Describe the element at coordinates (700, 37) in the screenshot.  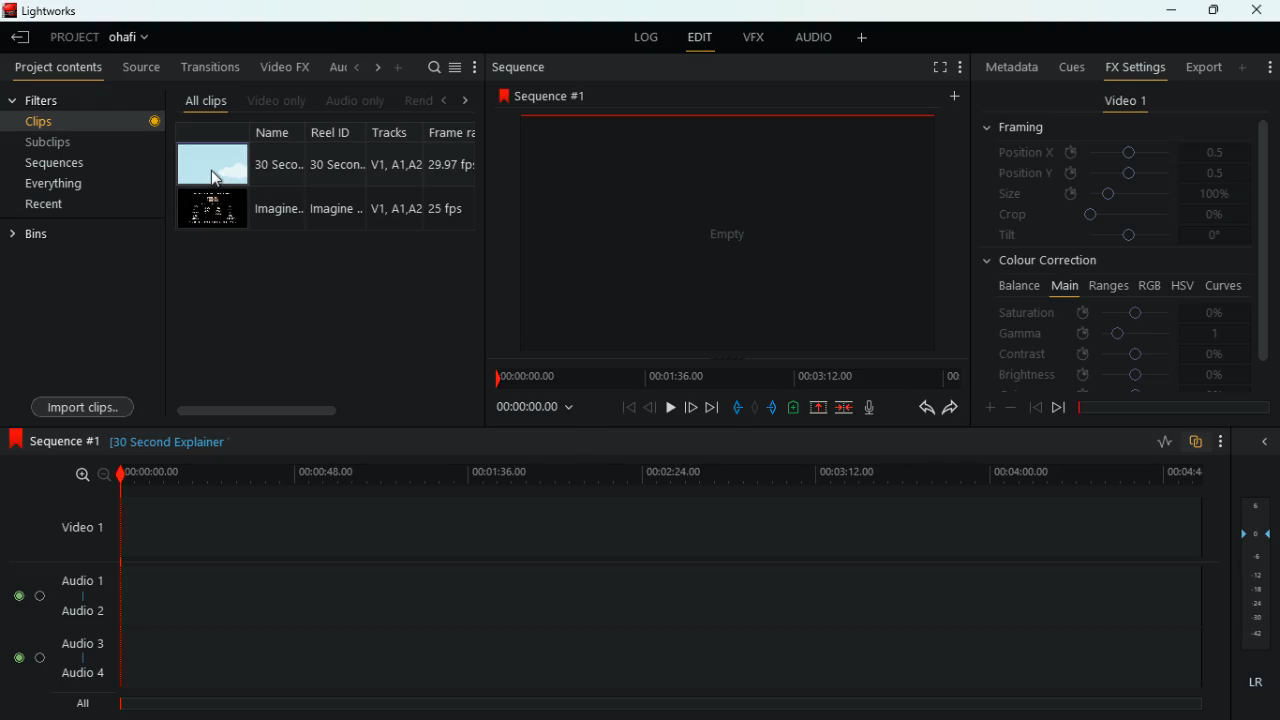
I see `edit` at that location.